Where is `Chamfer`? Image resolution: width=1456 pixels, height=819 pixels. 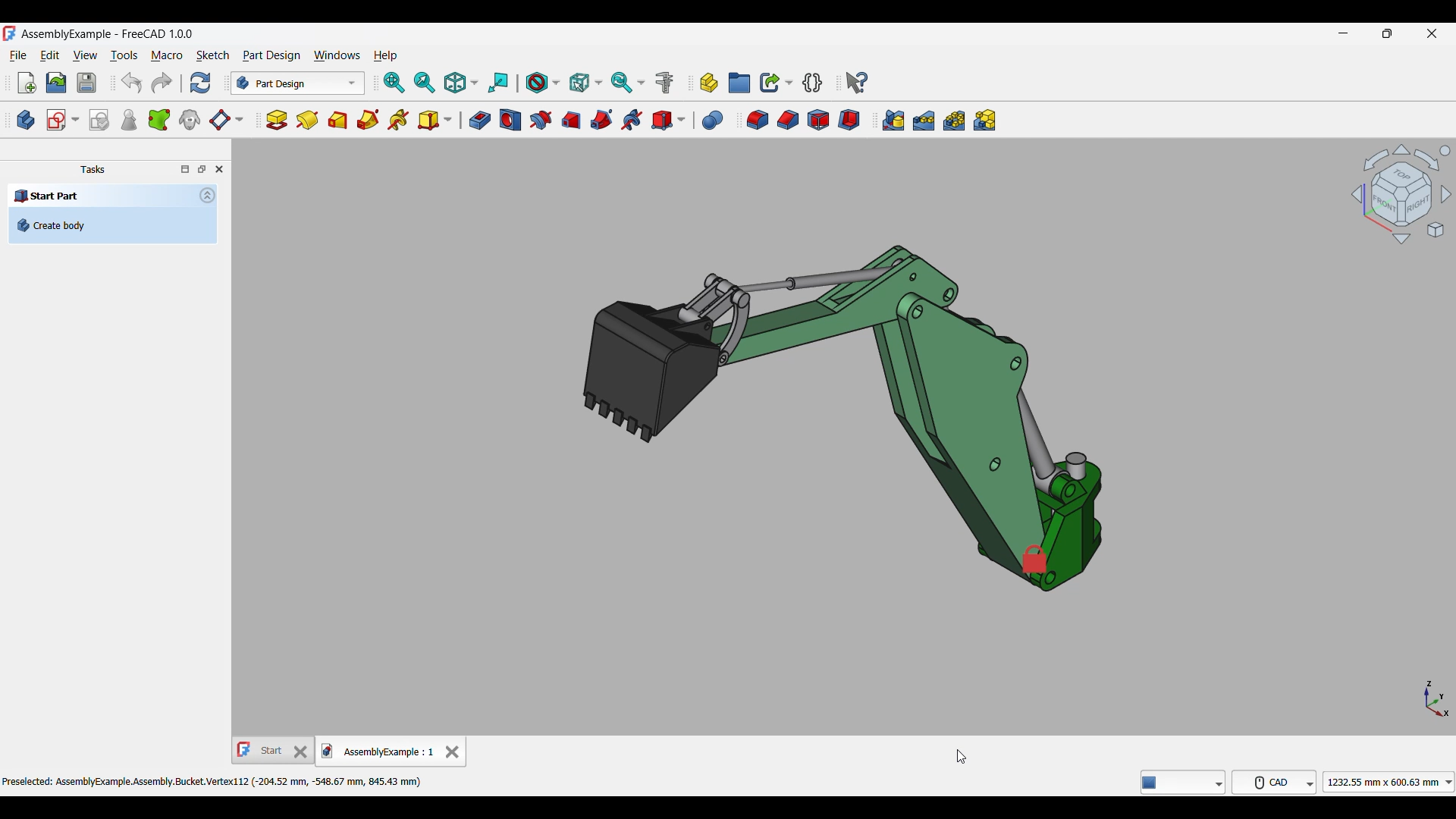
Chamfer is located at coordinates (788, 121).